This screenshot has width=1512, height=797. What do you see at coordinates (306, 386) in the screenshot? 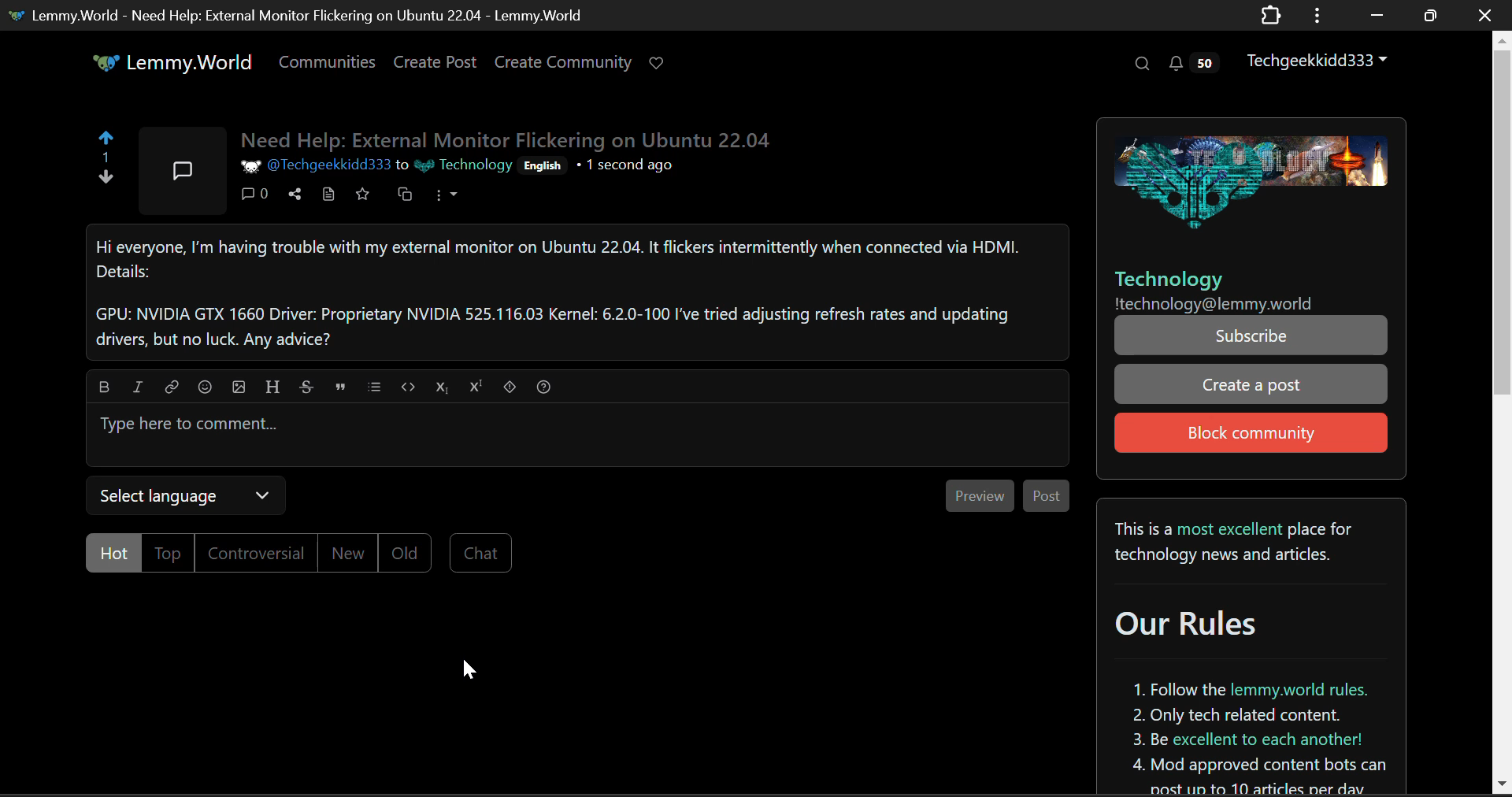
I see `Strikethrough` at bounding box center [306, 386].